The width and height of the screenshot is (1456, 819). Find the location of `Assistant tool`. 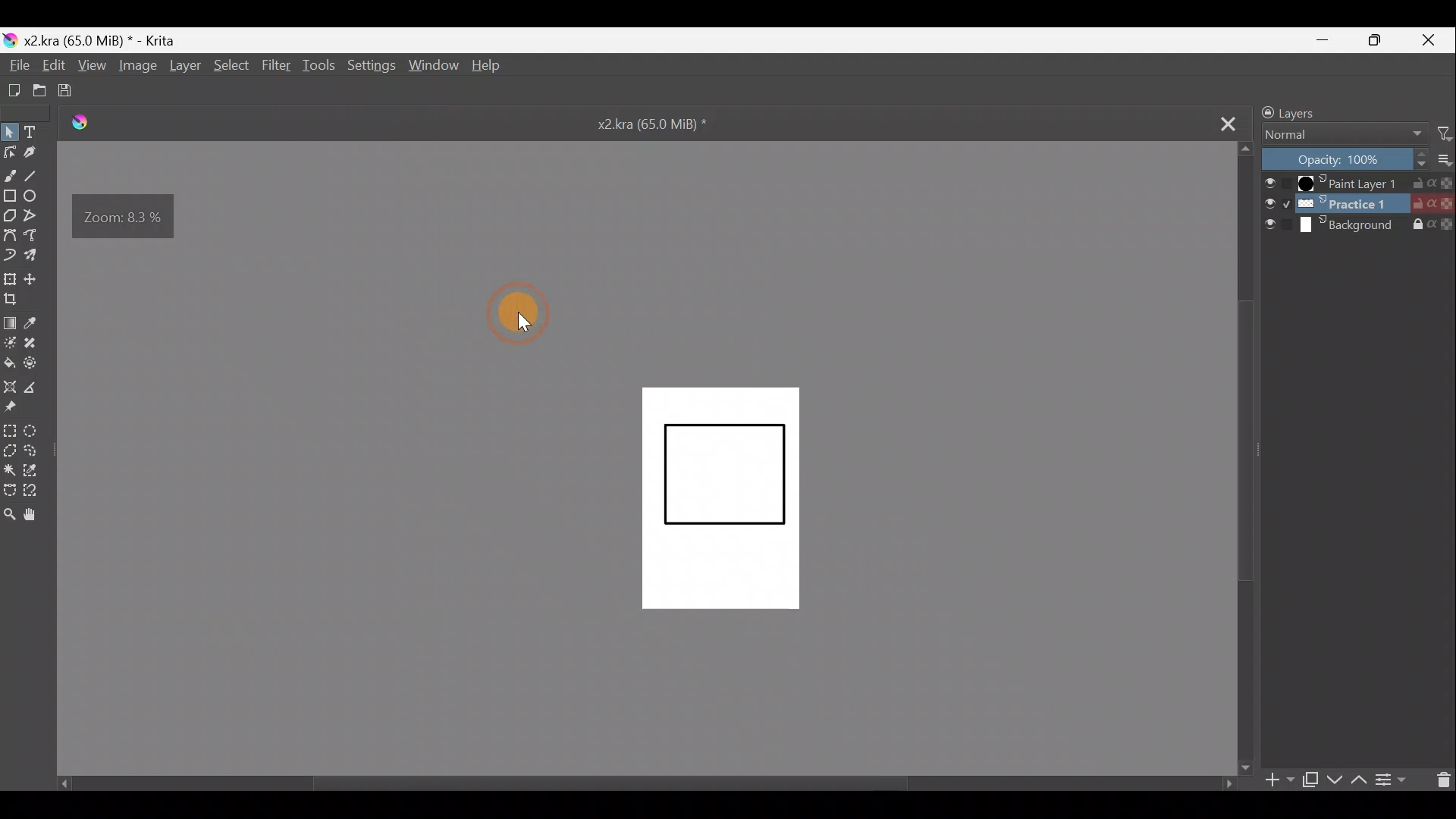

Assistant tool is located at coordinates (10, 387).